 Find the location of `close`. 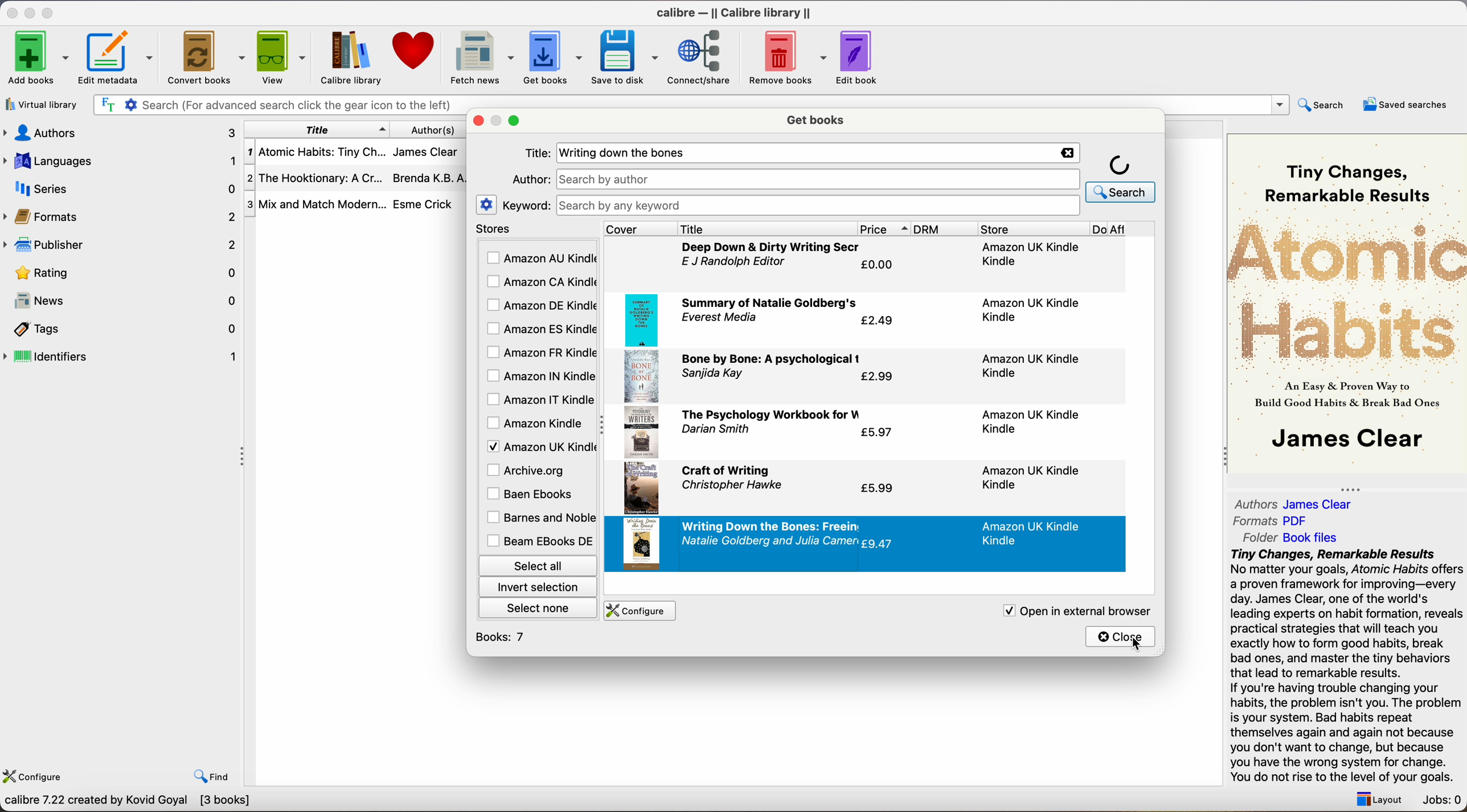

close is located at coordinates (1121, 636).